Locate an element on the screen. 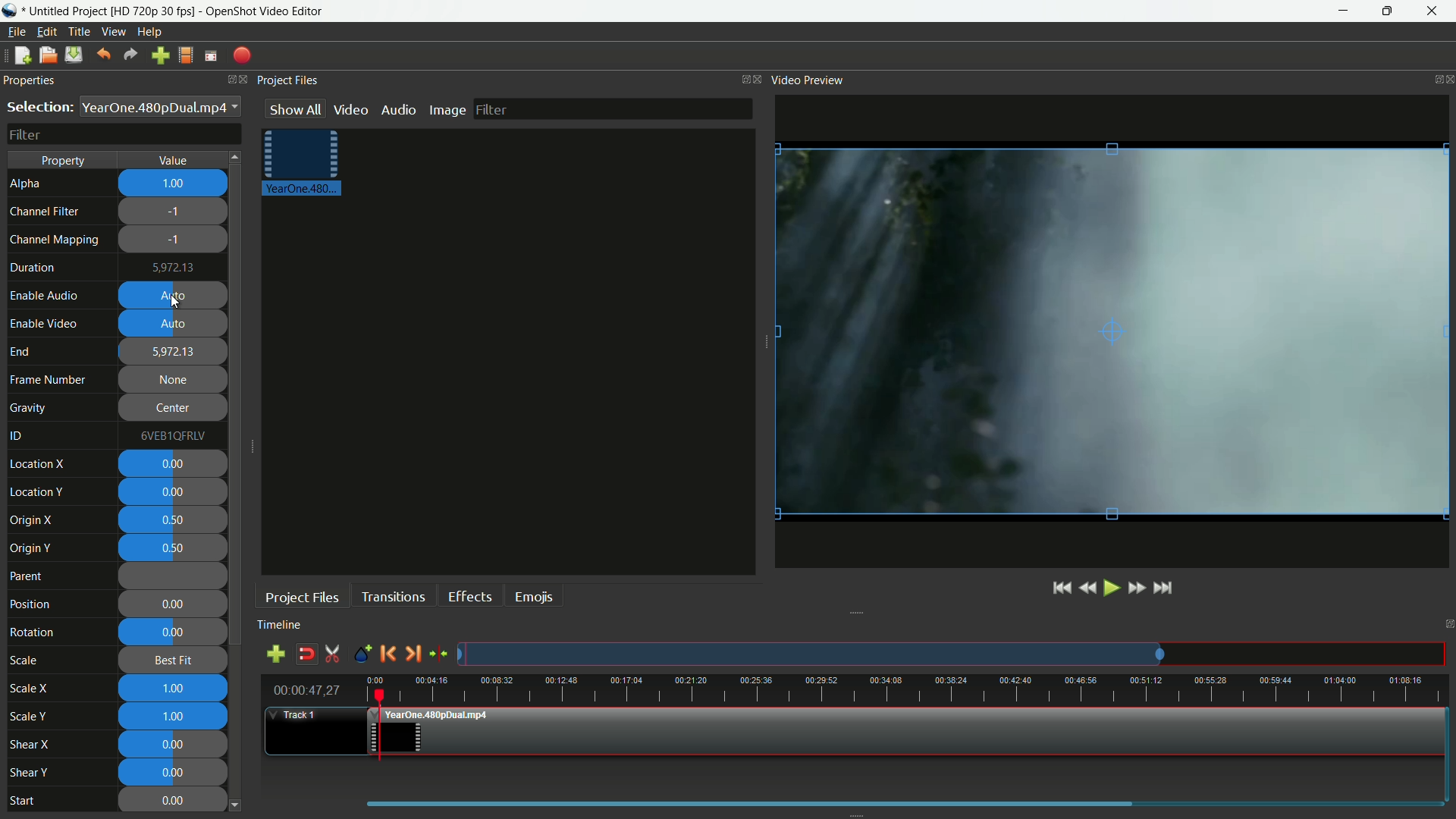 This screenshot has width=1456, height=819. timeline is located at coordinates (284, 625).